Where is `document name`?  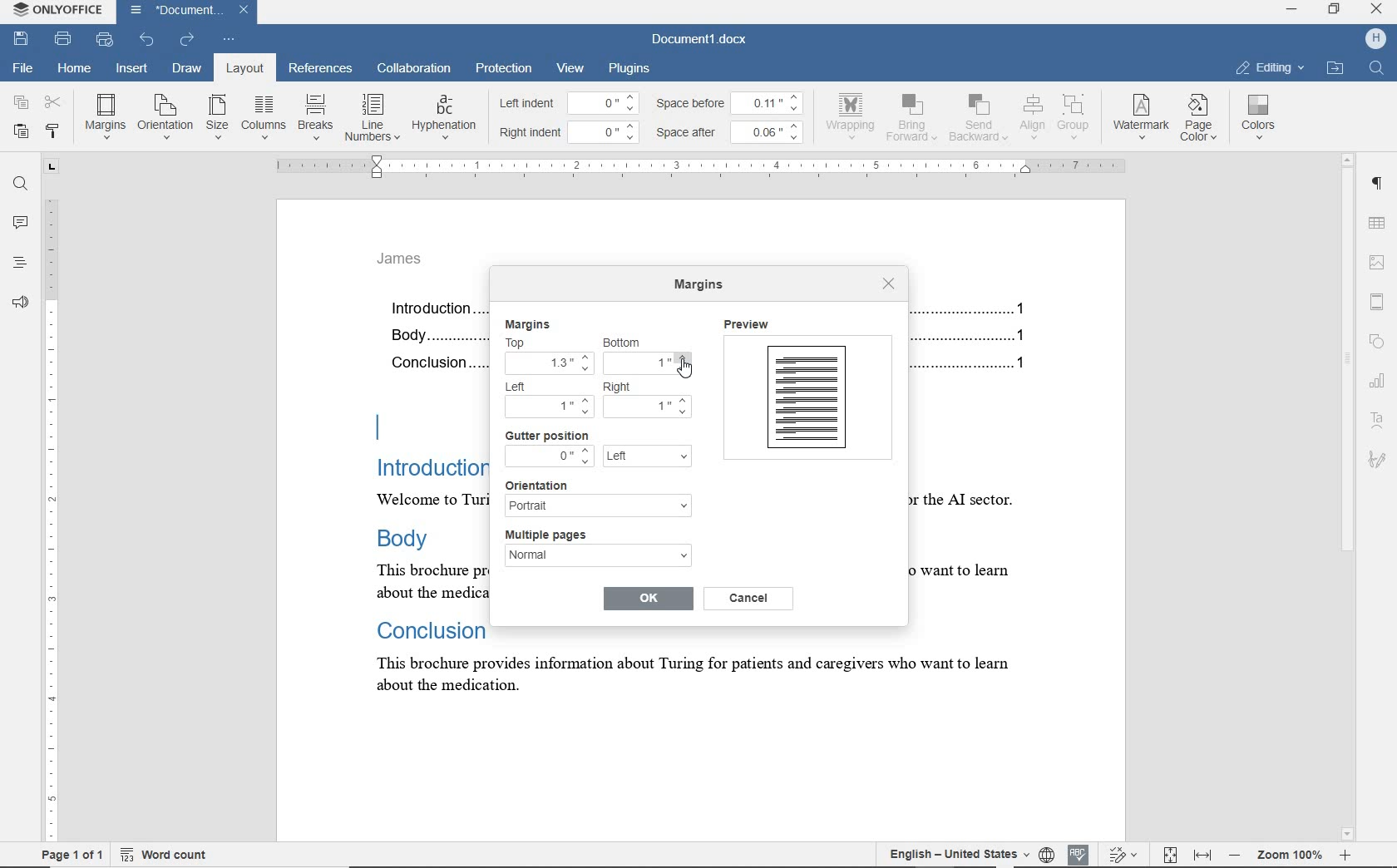
document name is located at coordinates (174, 11).